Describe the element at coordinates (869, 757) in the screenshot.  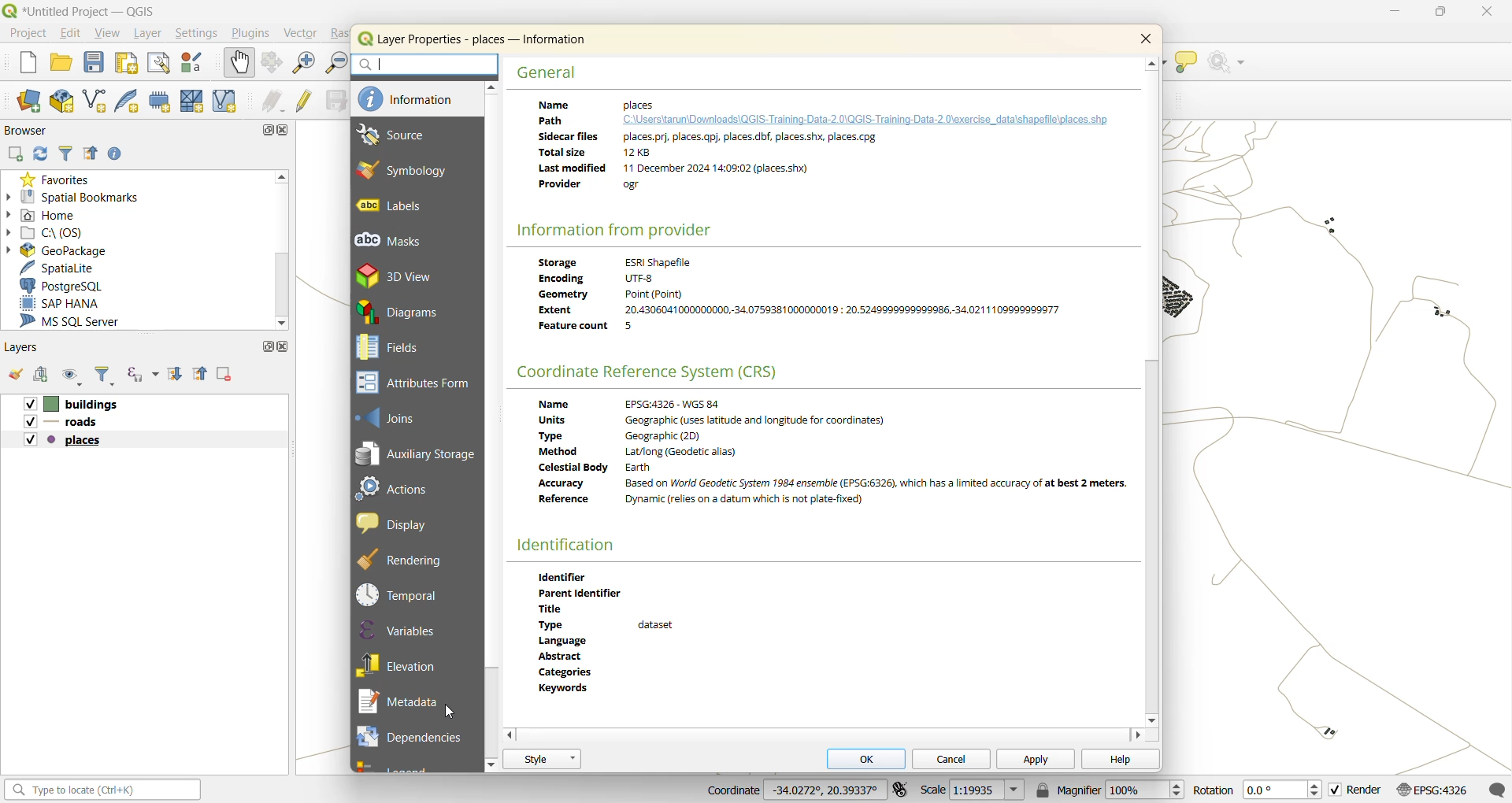
I see `ok` at that location.